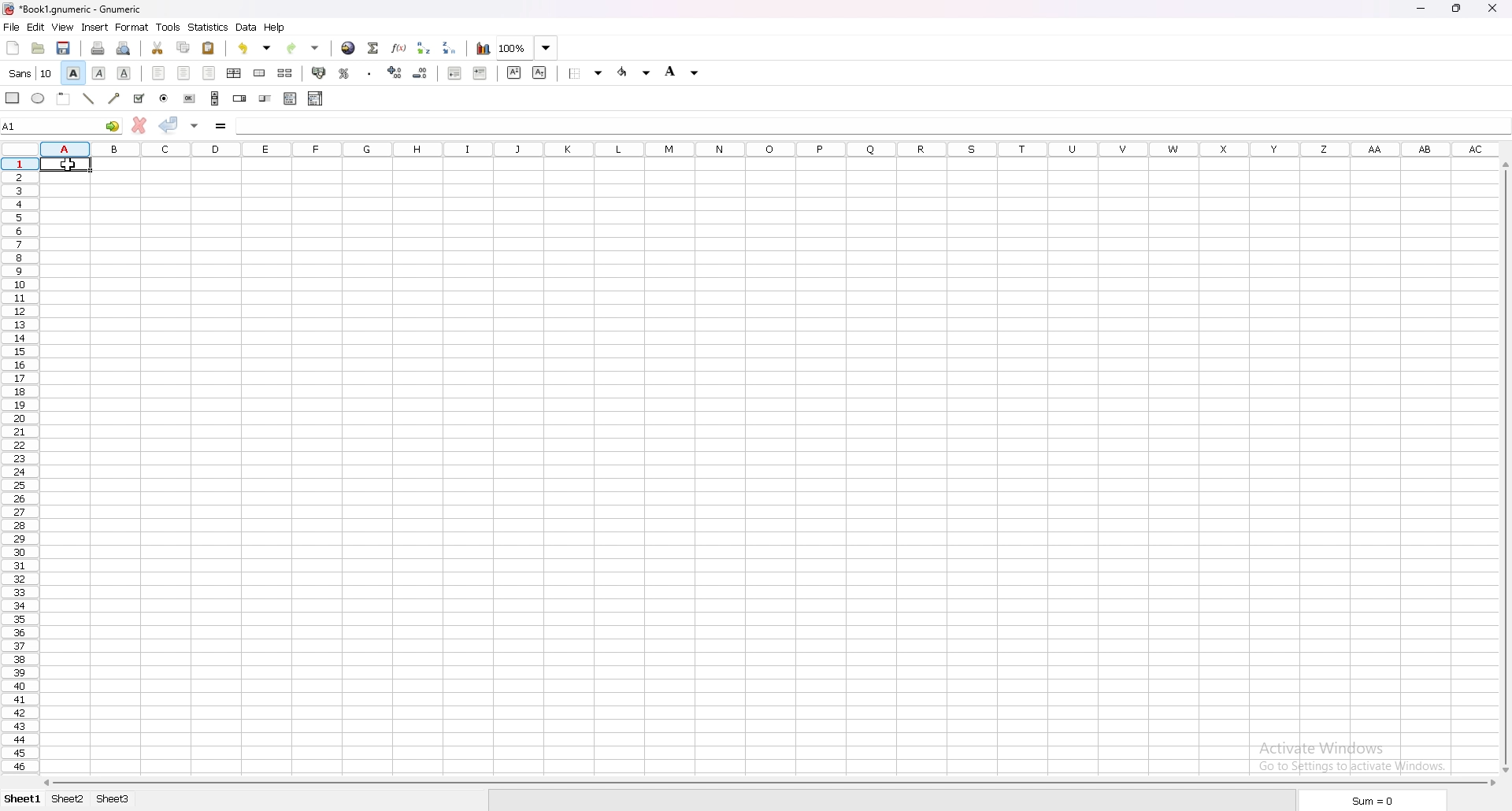 This screenshot has height=811, width=1512. I want to click on print preview, so click(123, 49).